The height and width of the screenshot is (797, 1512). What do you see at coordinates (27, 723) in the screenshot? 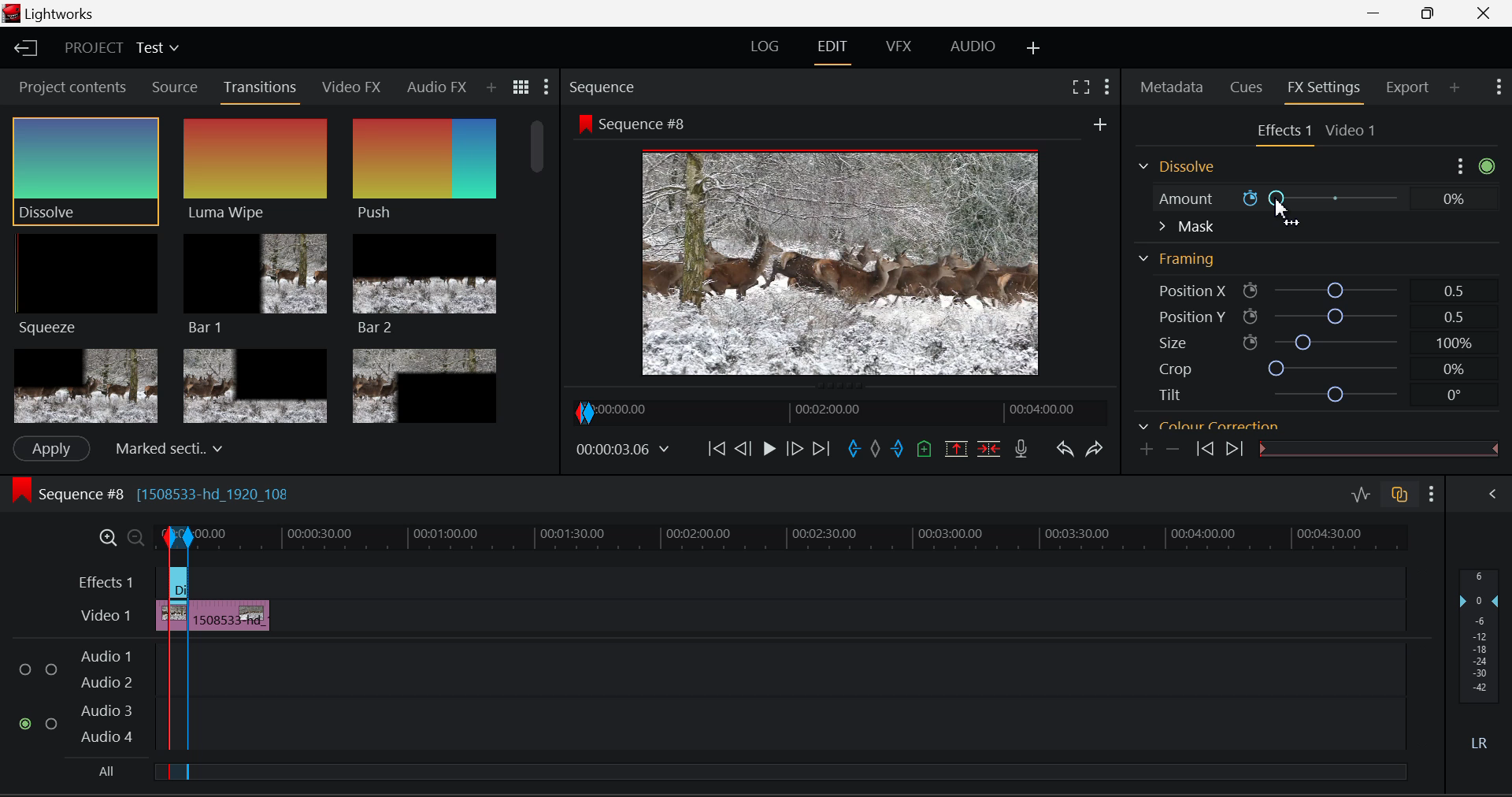
I see `Audio Input Checkbox` at bounding box center [27, 723].